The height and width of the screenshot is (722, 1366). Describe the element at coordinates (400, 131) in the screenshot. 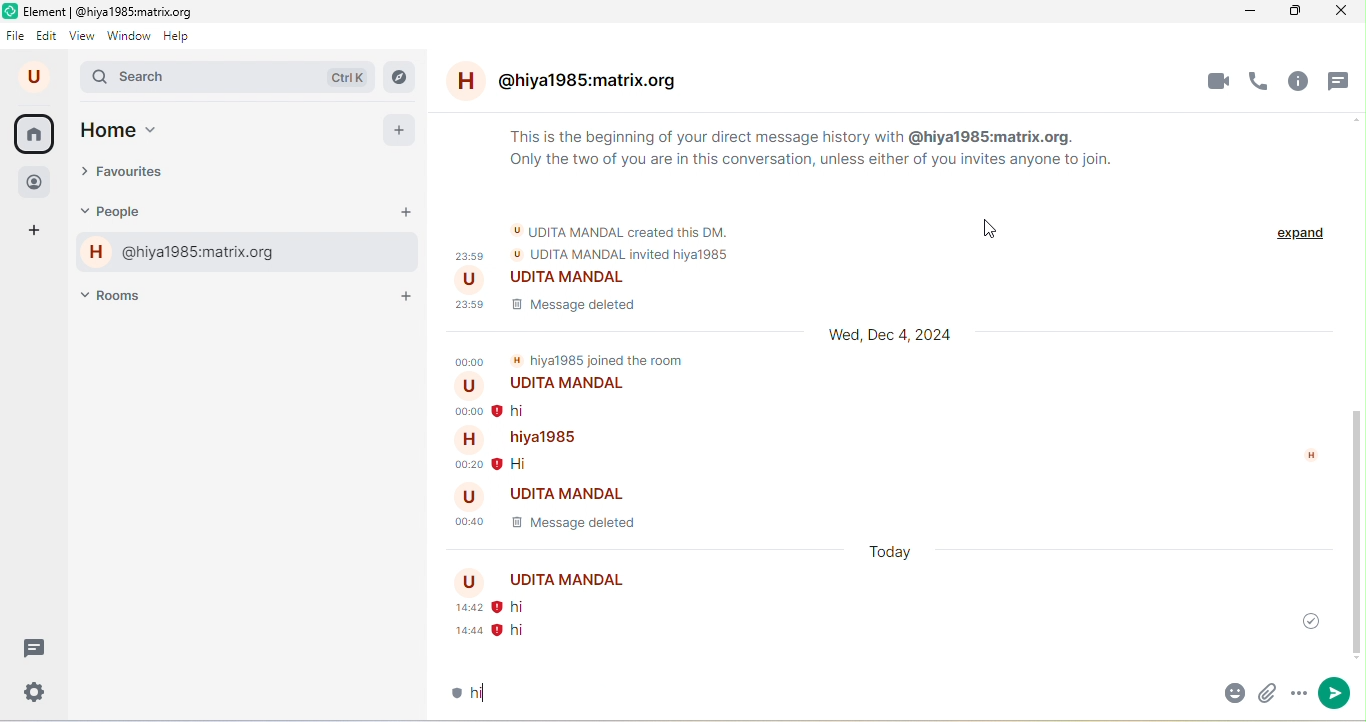

I see `add` at that location.